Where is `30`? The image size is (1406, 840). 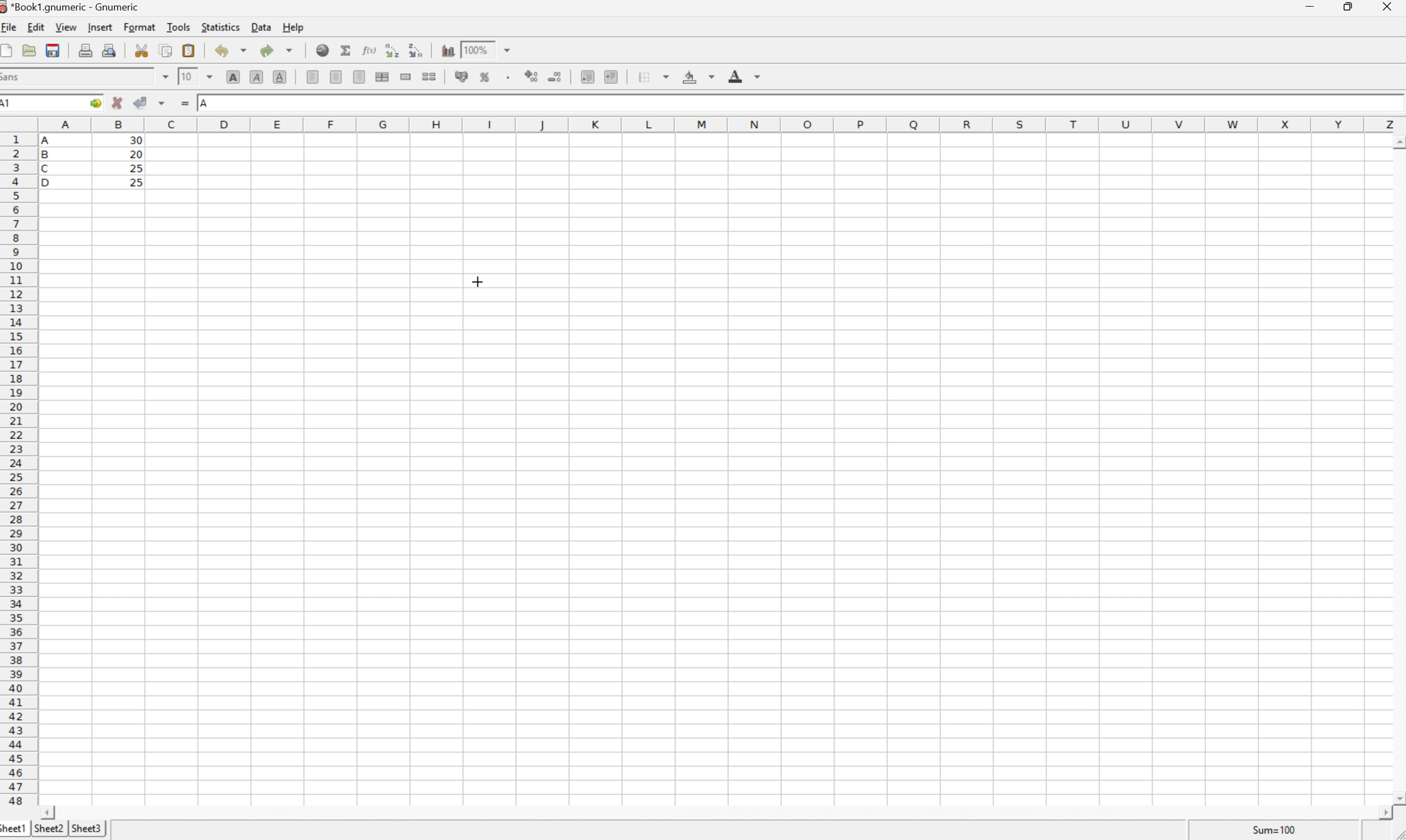
30 is located at coordinates (135, 142).